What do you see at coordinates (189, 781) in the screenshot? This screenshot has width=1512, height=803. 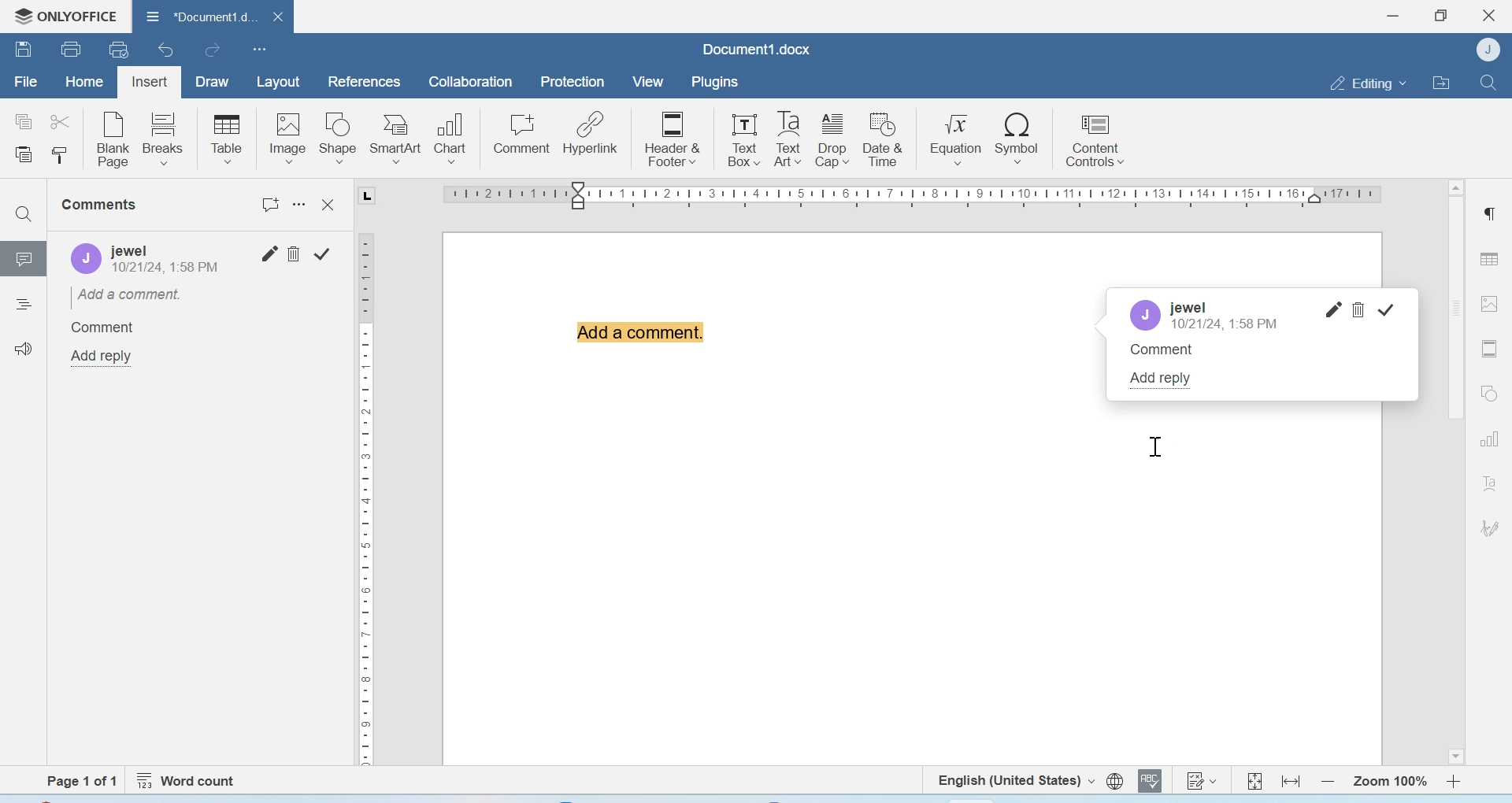 I see `Word count` at bounding box center [189, 781].